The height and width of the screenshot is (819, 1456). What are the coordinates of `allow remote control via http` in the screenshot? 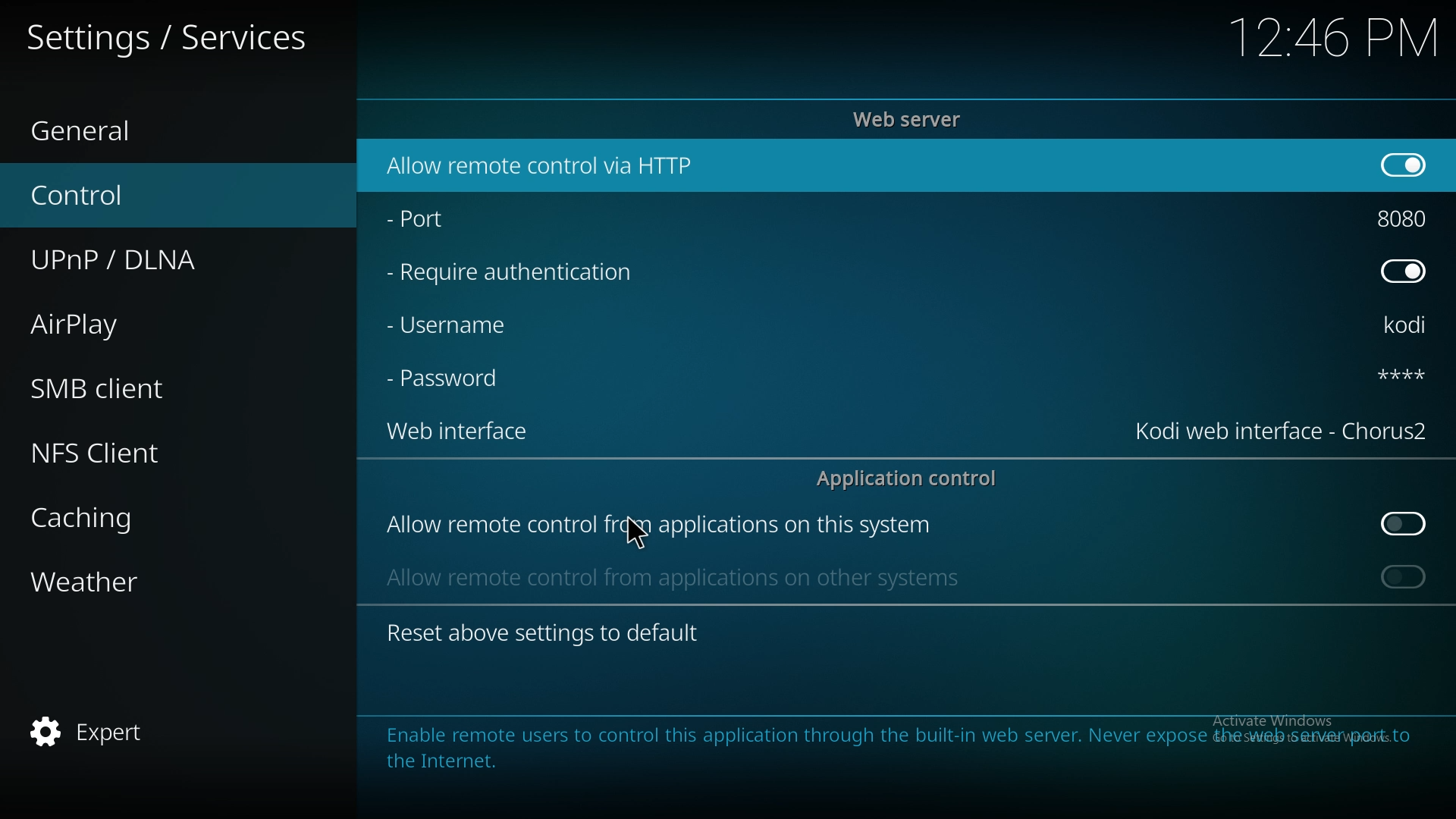 It's located at (542, 166).